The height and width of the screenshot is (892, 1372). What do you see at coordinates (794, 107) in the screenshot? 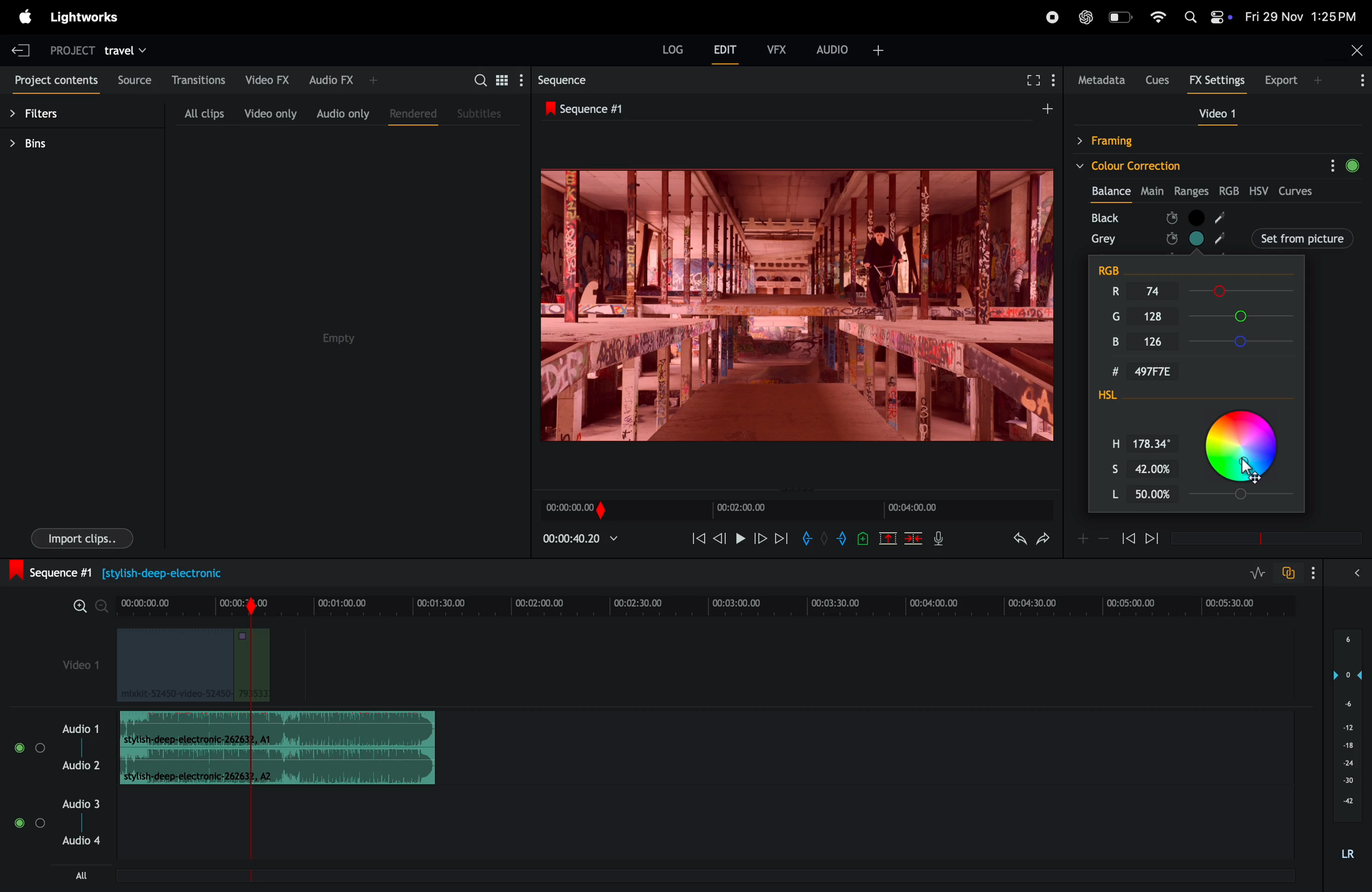
I see `sequence #1` at bounding box center [794, 107].